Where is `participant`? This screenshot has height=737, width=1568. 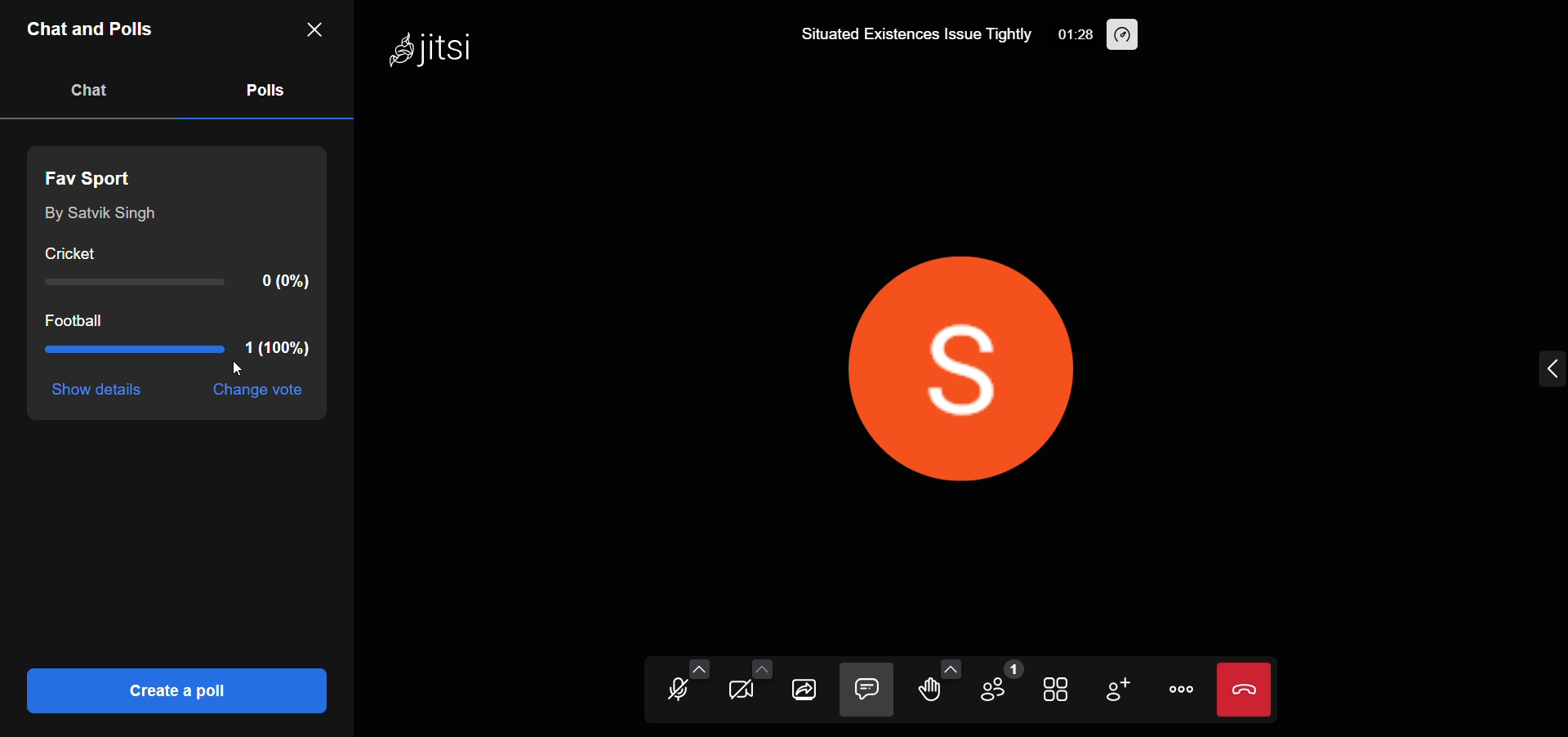 participant is located at coordinates (1001, 681).